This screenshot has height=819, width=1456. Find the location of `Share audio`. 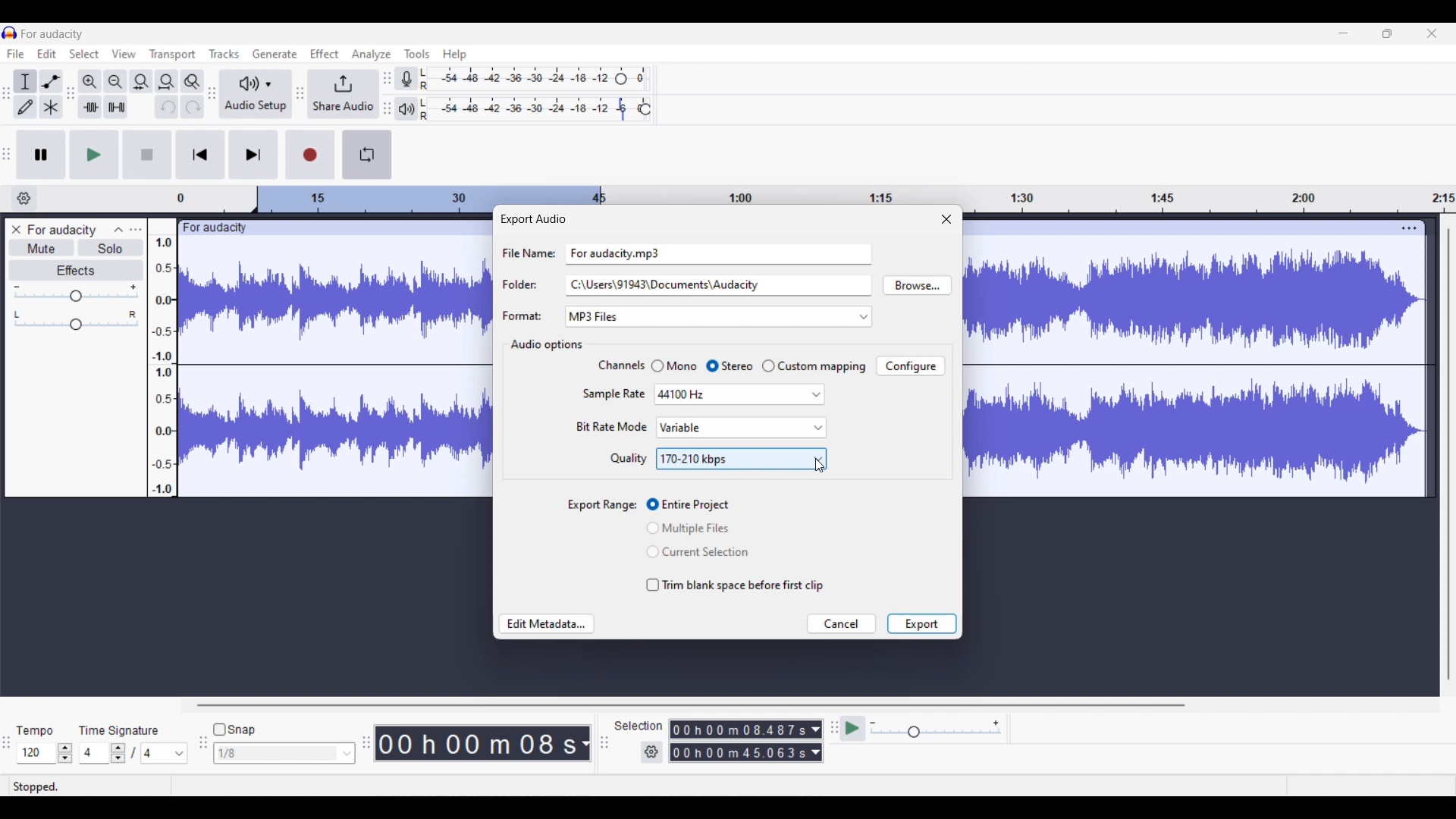

Share audio is located at coordinates (343, 94).